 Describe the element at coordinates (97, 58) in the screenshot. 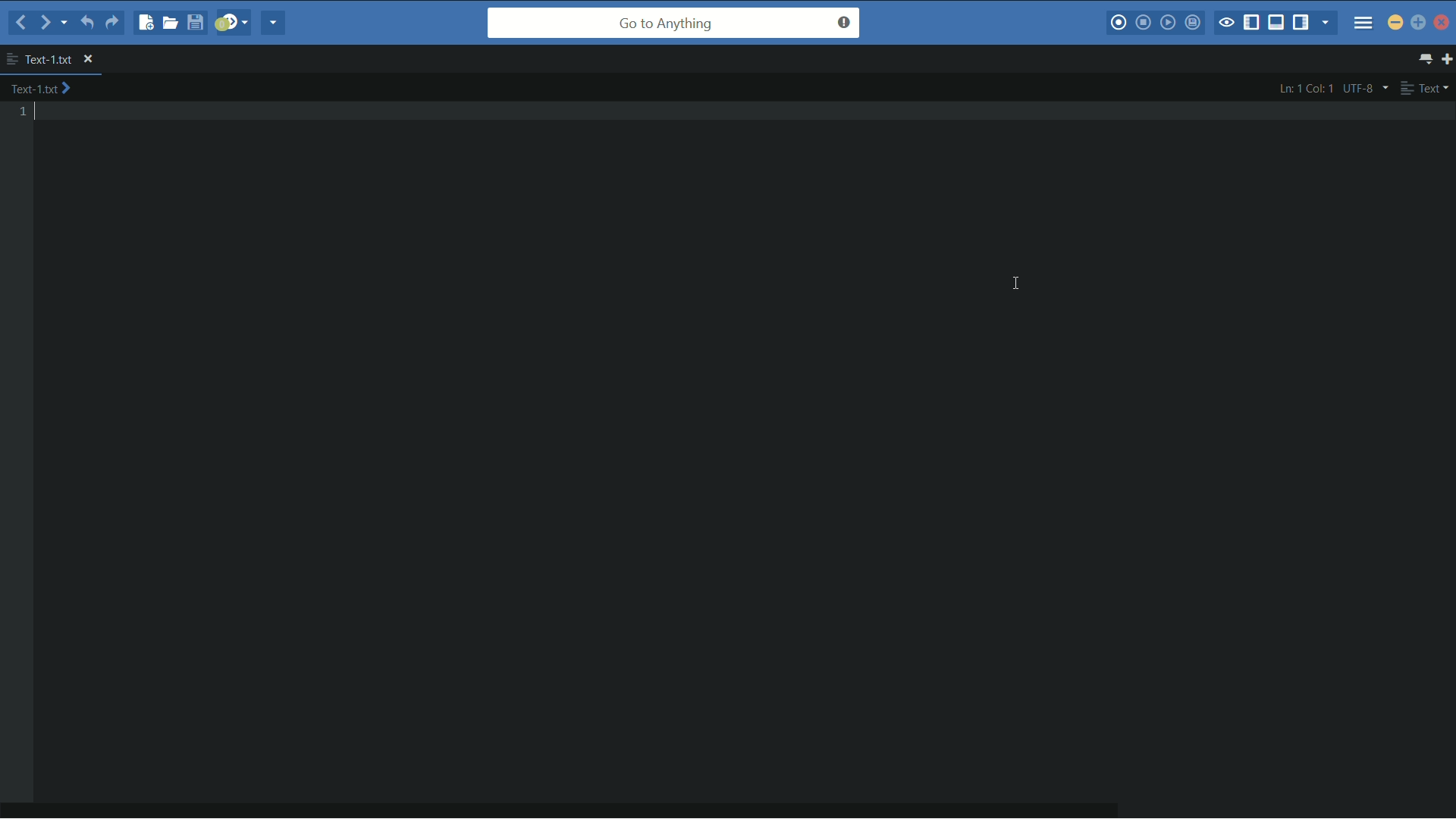

I see `close` at that location.